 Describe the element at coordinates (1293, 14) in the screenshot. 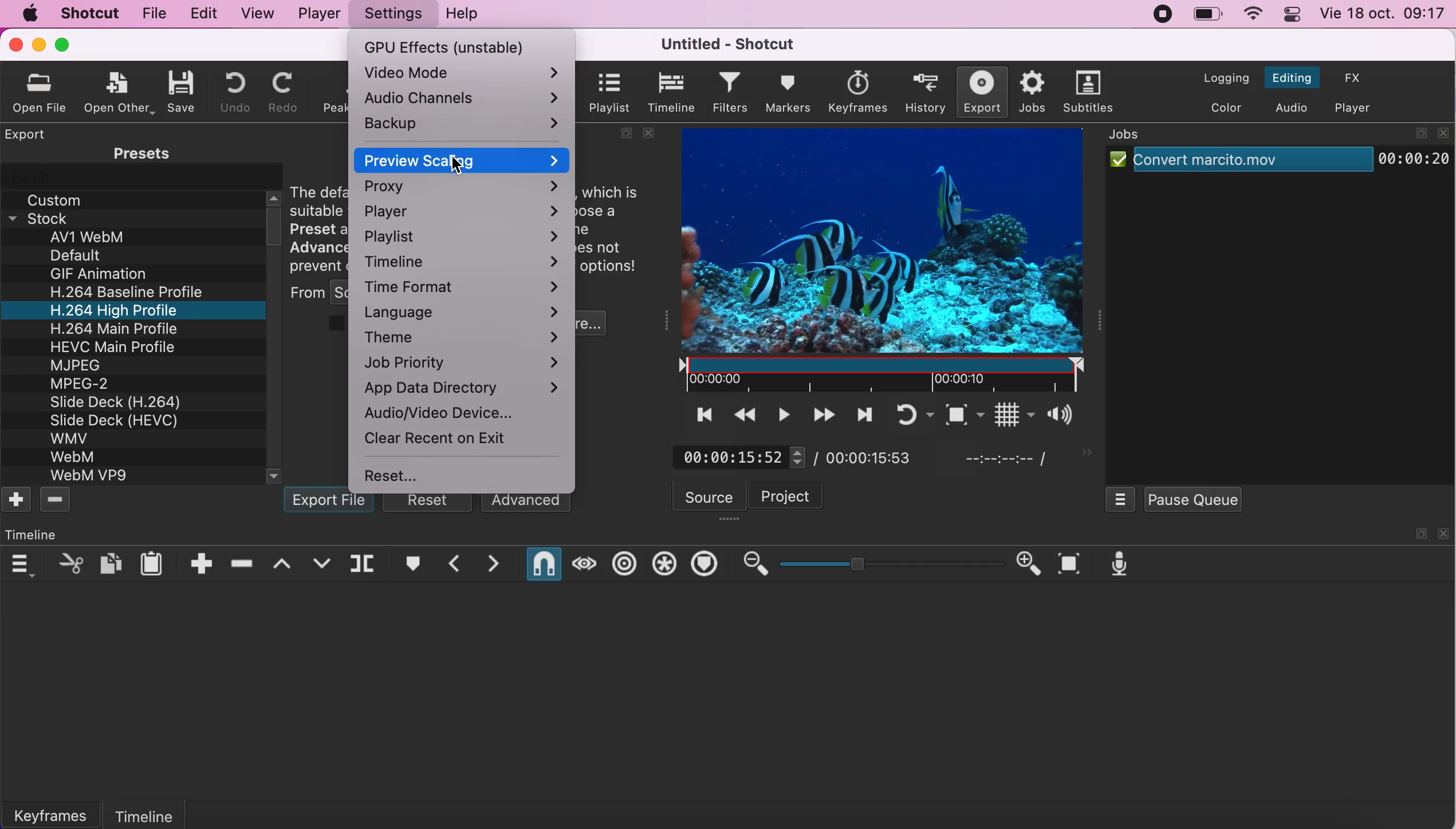

I see `panel control` at that location.